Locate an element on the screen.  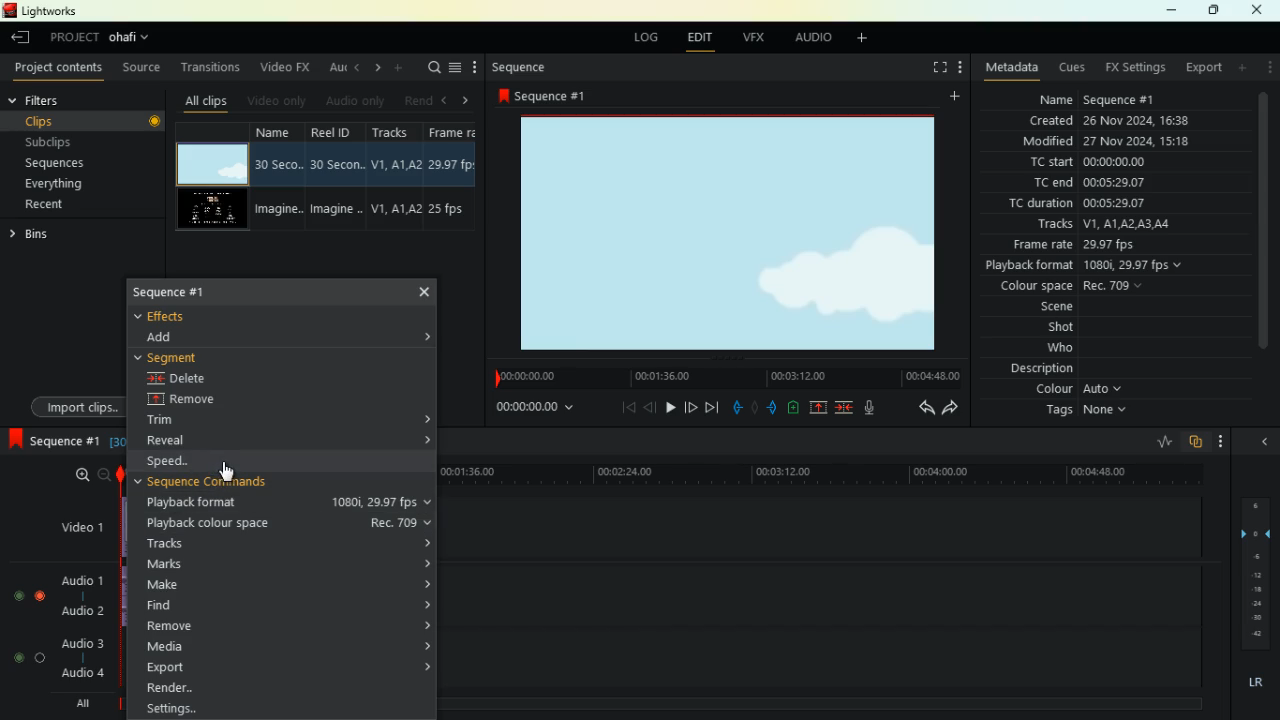
project is located at coordinates (106, 38).